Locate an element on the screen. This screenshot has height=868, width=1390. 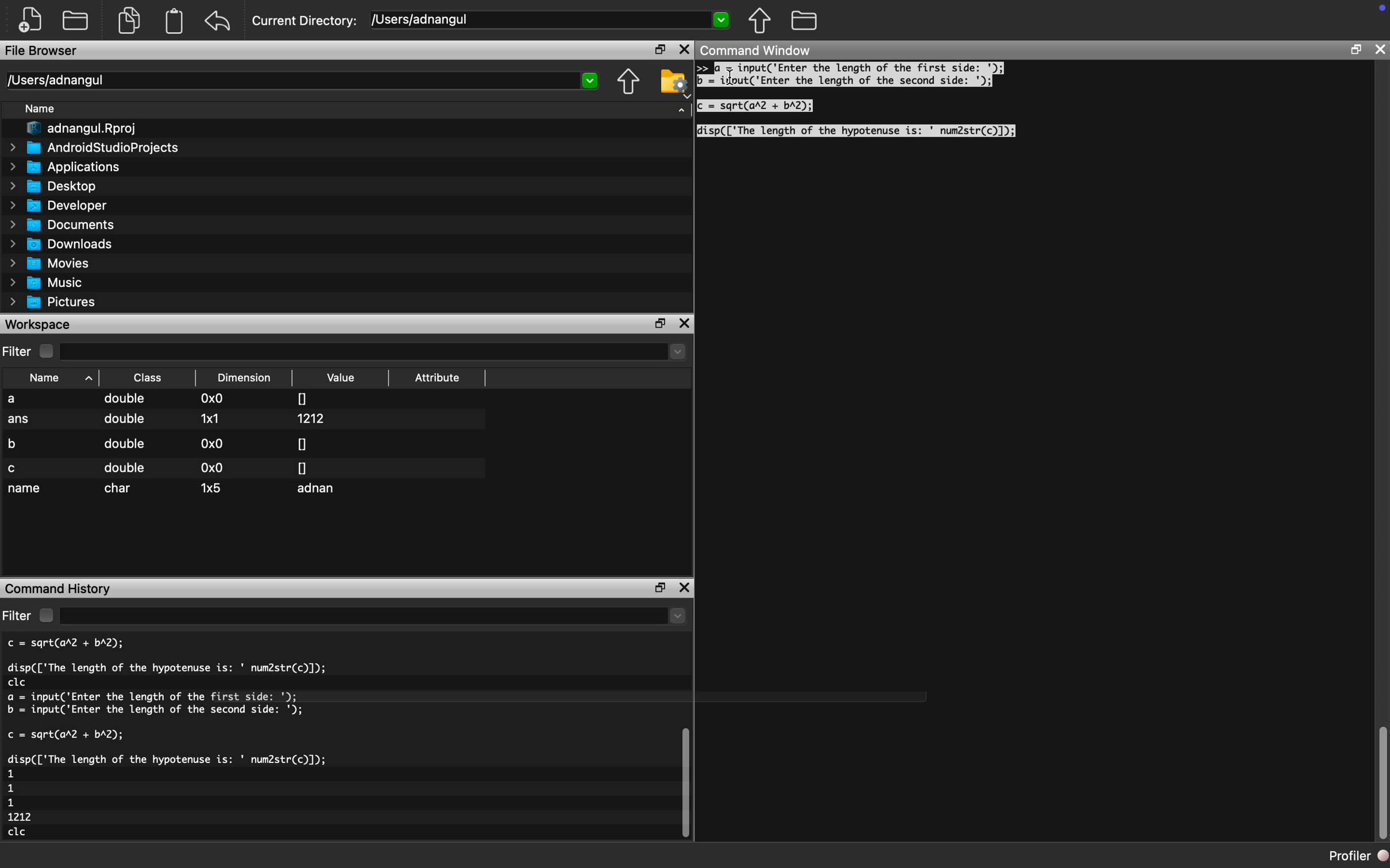
double is located at coordinates (126, 400).